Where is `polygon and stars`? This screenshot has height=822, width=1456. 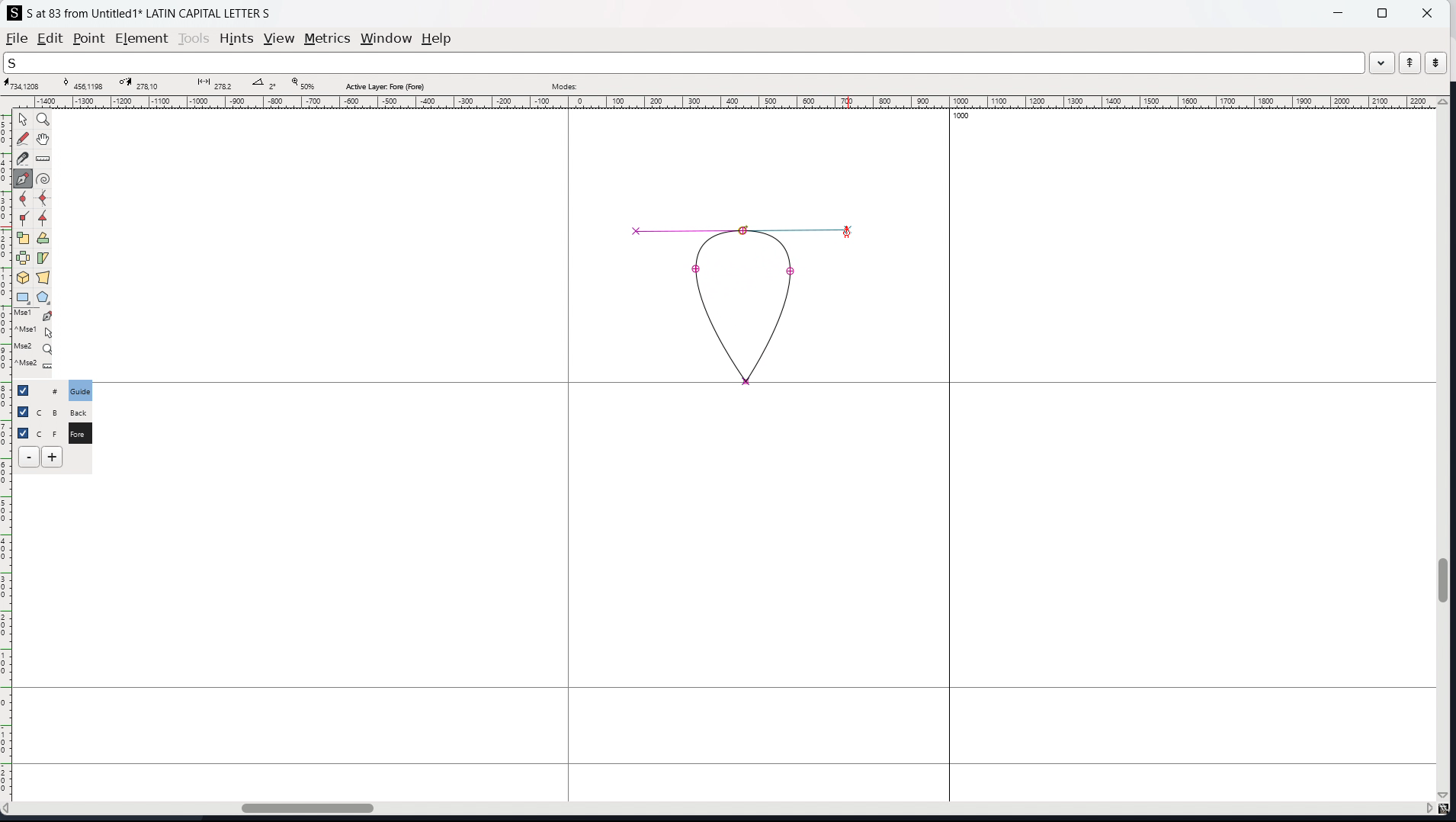
polygon and stars is located at coordinates (44, 298).